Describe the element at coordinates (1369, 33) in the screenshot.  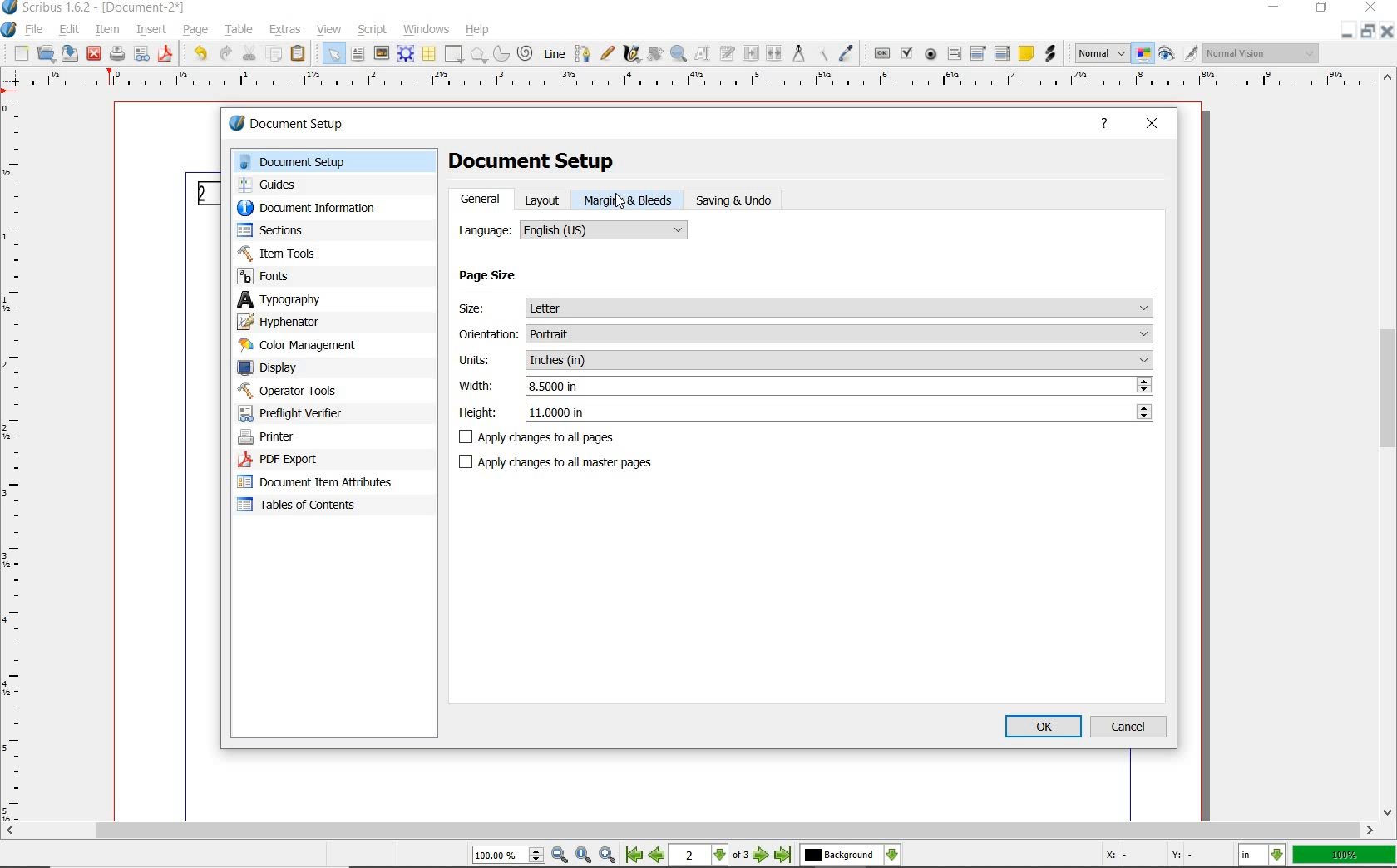
I see `Minimize` at that location.